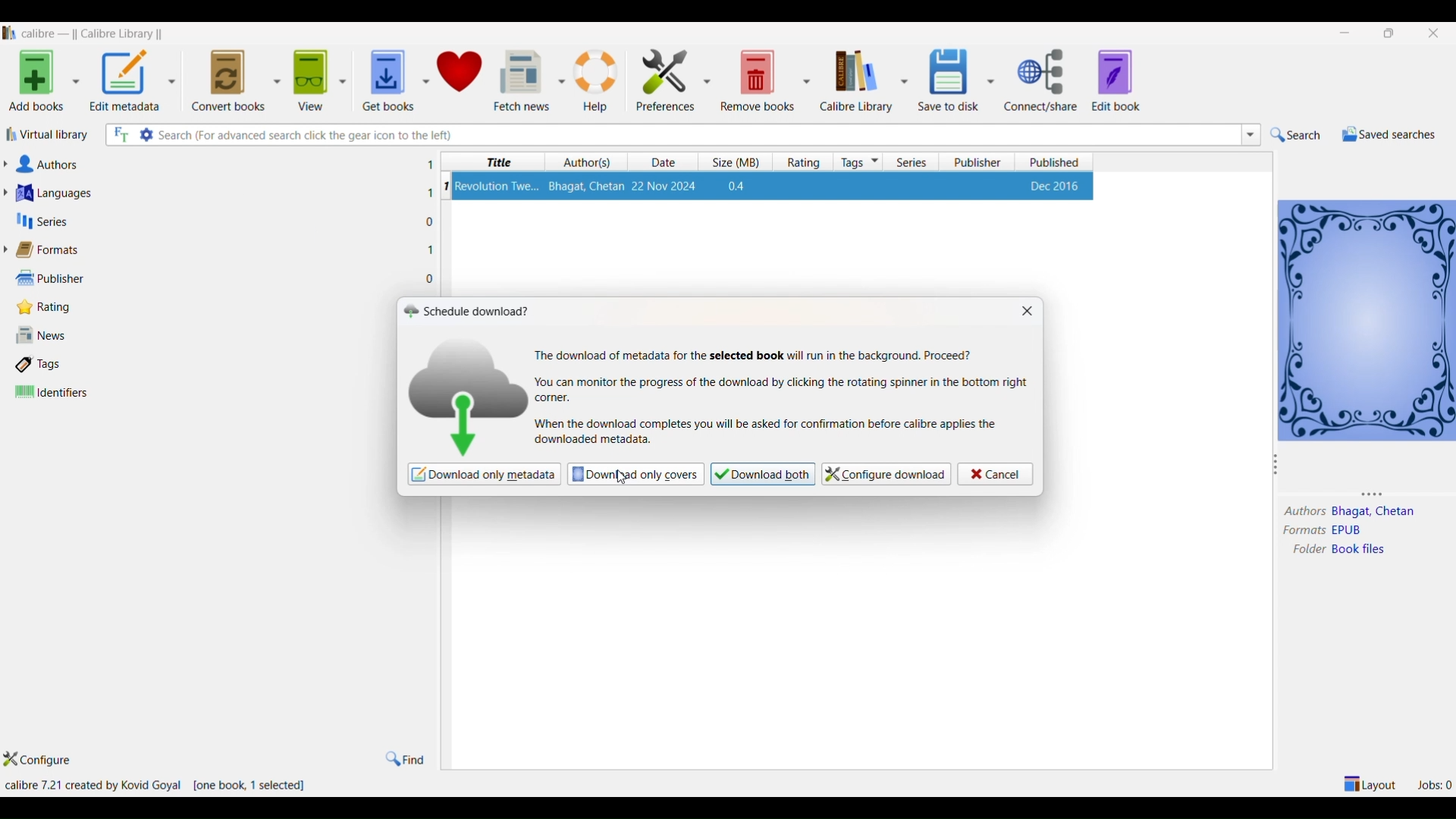  I want to click on virtual library, so click(49, 137).